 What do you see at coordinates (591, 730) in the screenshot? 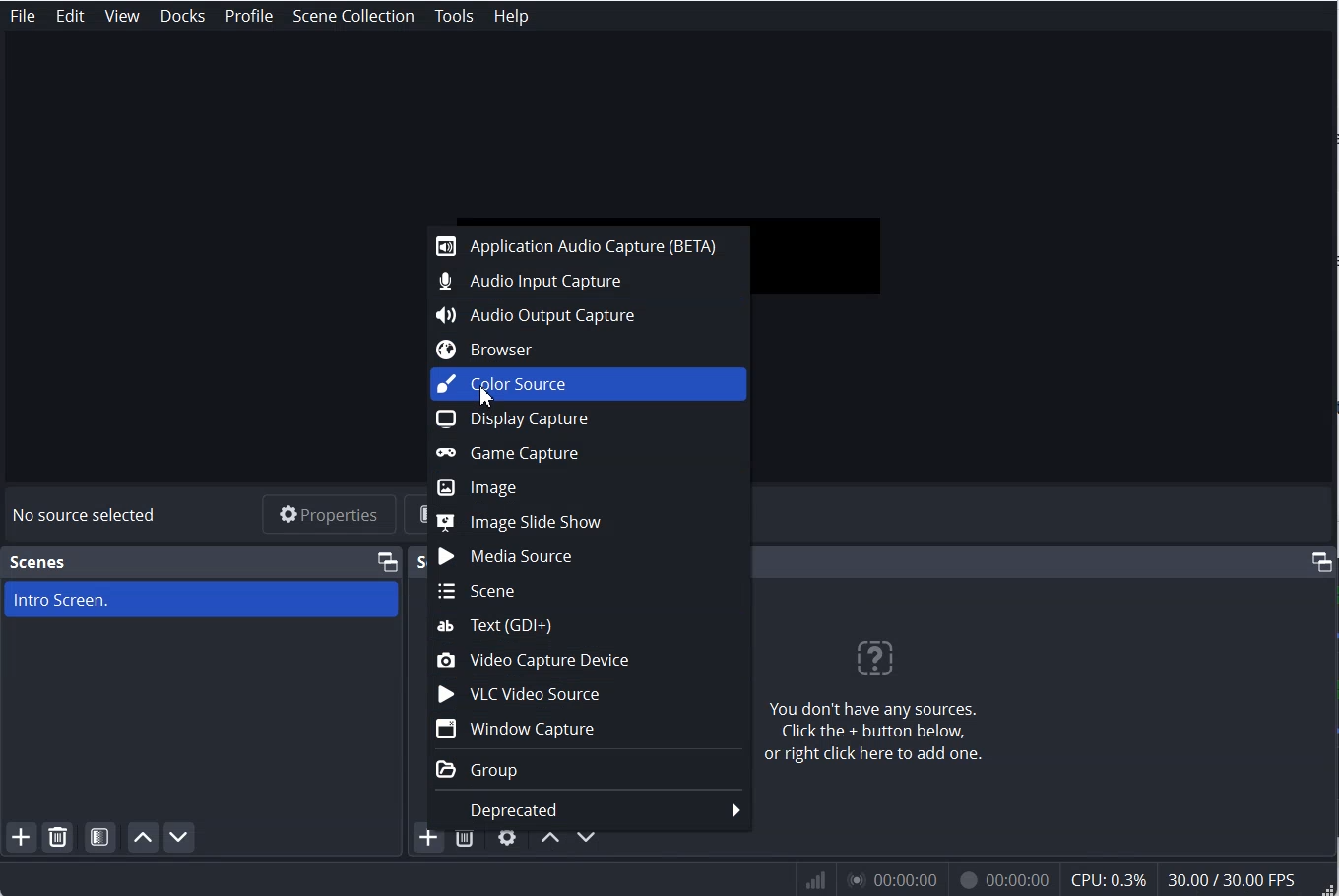
I see `Window Capture` at bounding box center [591, 730].